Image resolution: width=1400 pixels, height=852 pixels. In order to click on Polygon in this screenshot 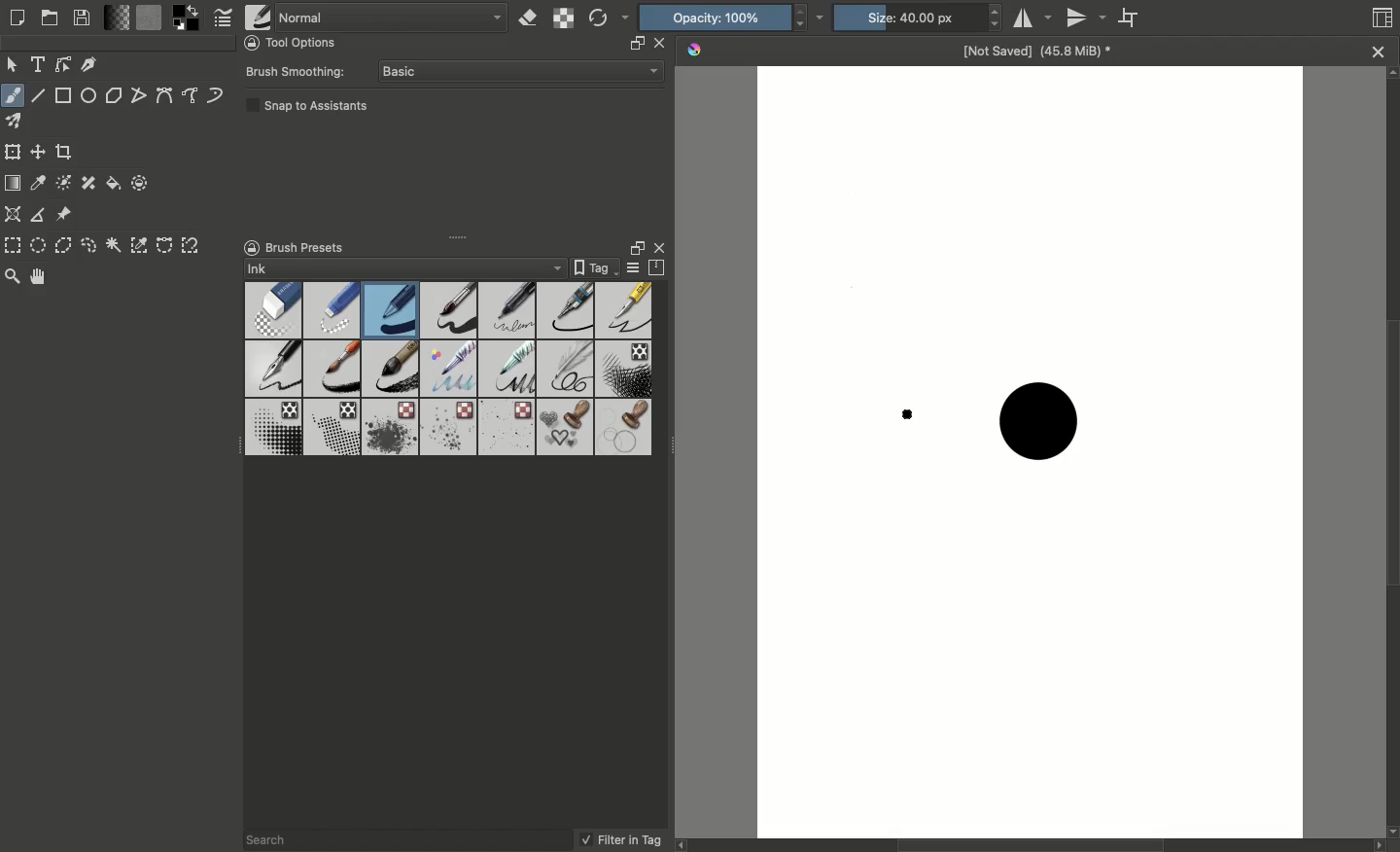, I will do `click(115, 97)`.